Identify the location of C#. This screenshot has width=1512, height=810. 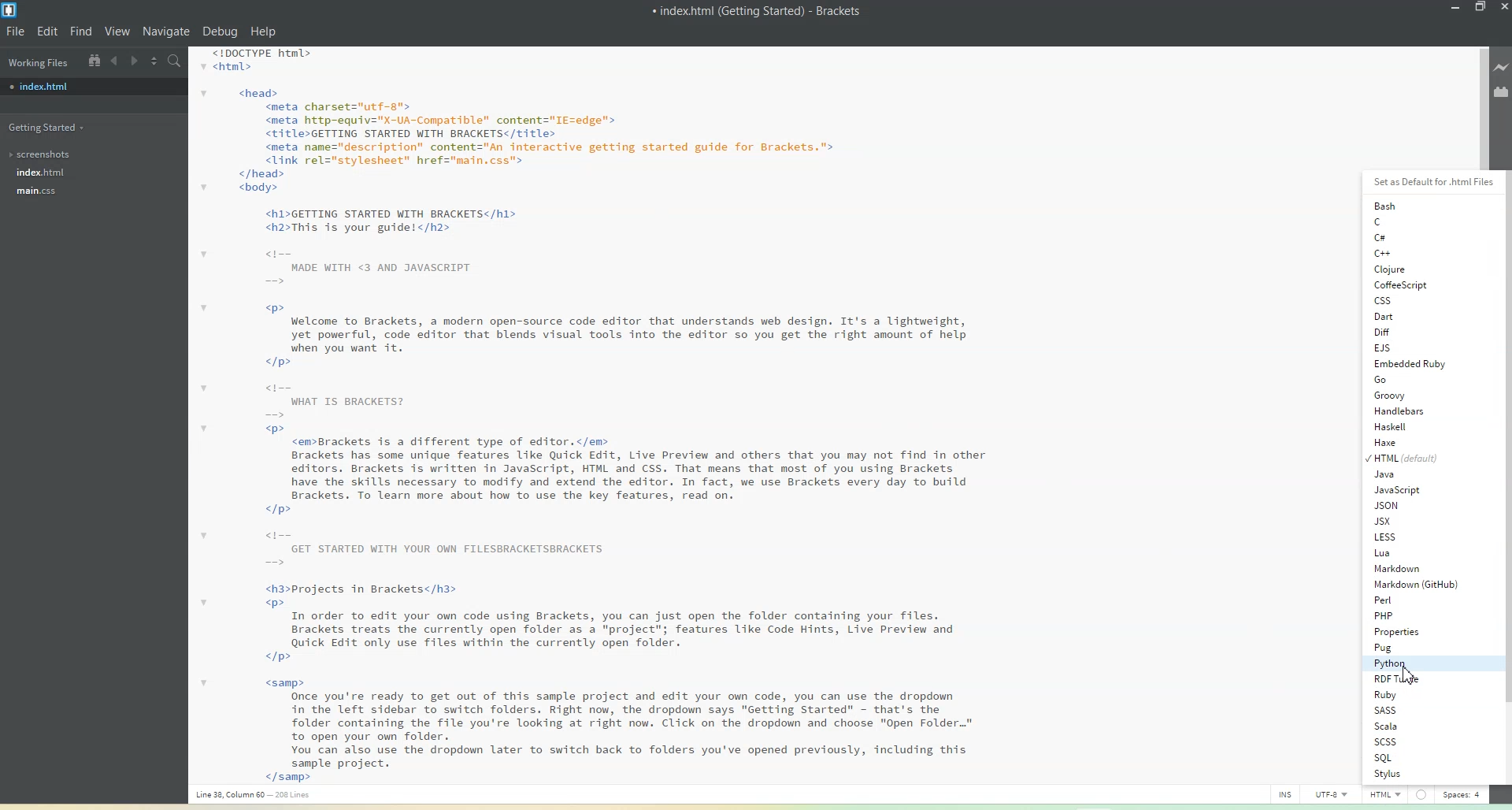
(1406, 238).